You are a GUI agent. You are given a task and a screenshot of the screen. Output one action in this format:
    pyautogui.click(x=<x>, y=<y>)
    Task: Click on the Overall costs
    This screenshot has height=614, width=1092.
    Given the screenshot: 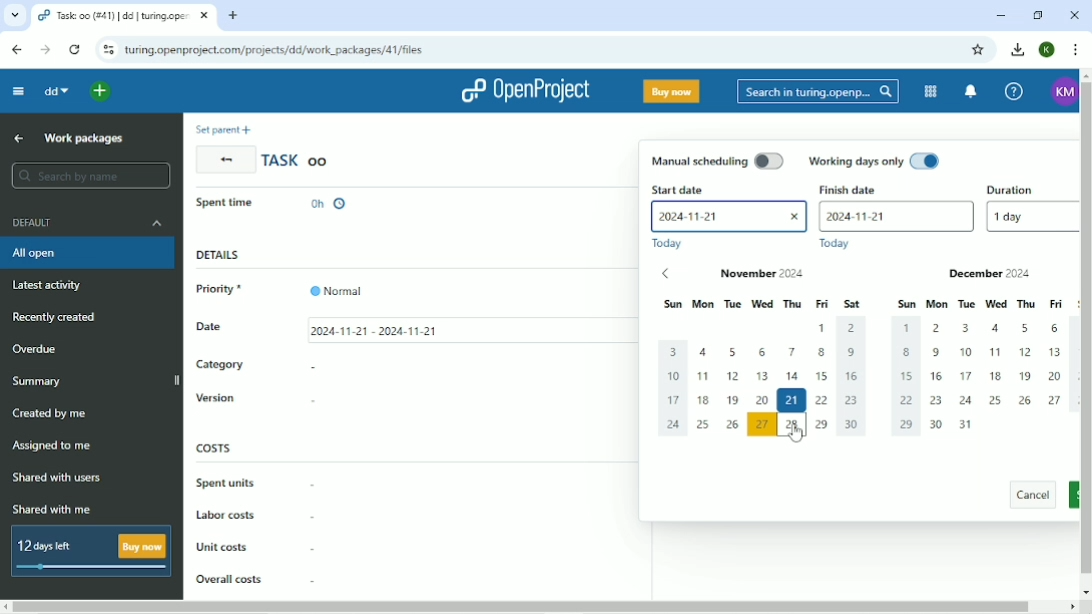 What is the action you would take?
    pyautogui.click(x=228, y=578)
    